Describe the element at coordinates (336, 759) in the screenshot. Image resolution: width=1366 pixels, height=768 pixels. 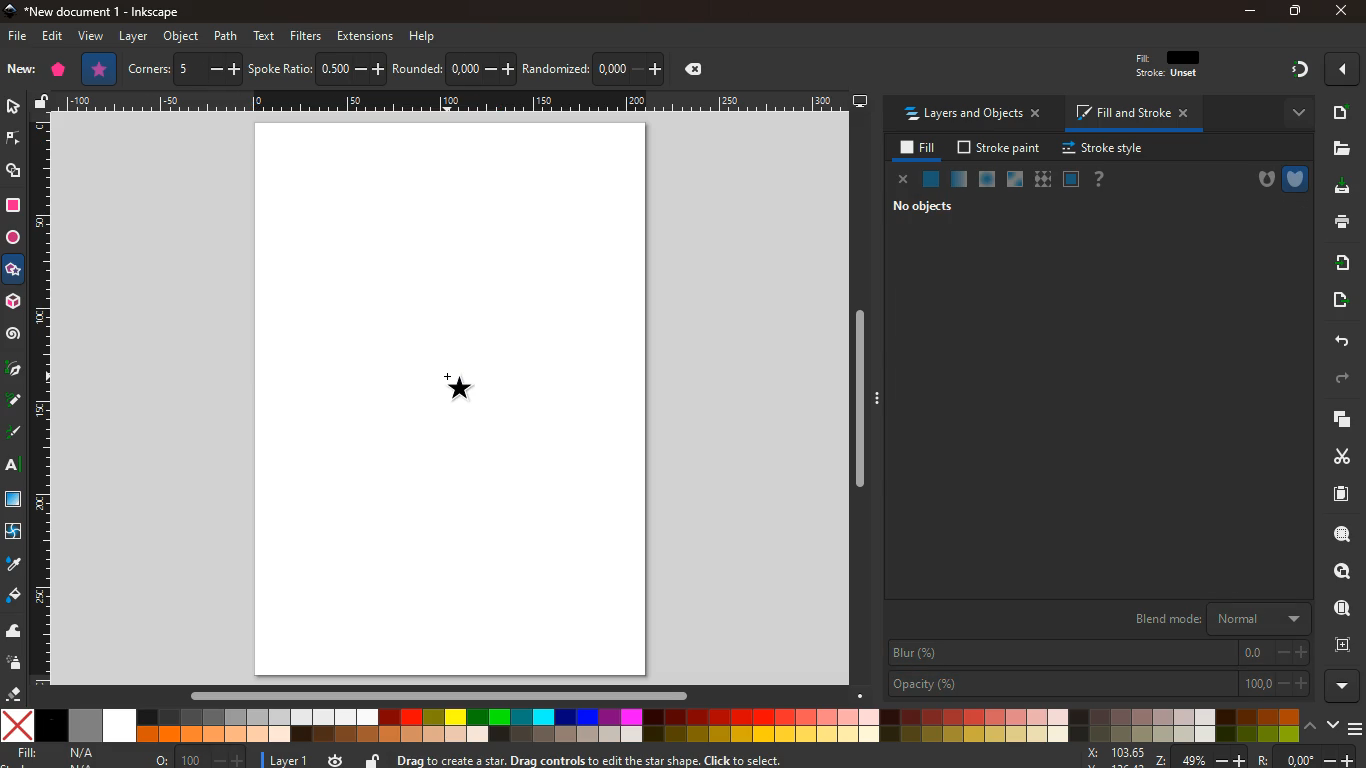
I see `time` at that location.